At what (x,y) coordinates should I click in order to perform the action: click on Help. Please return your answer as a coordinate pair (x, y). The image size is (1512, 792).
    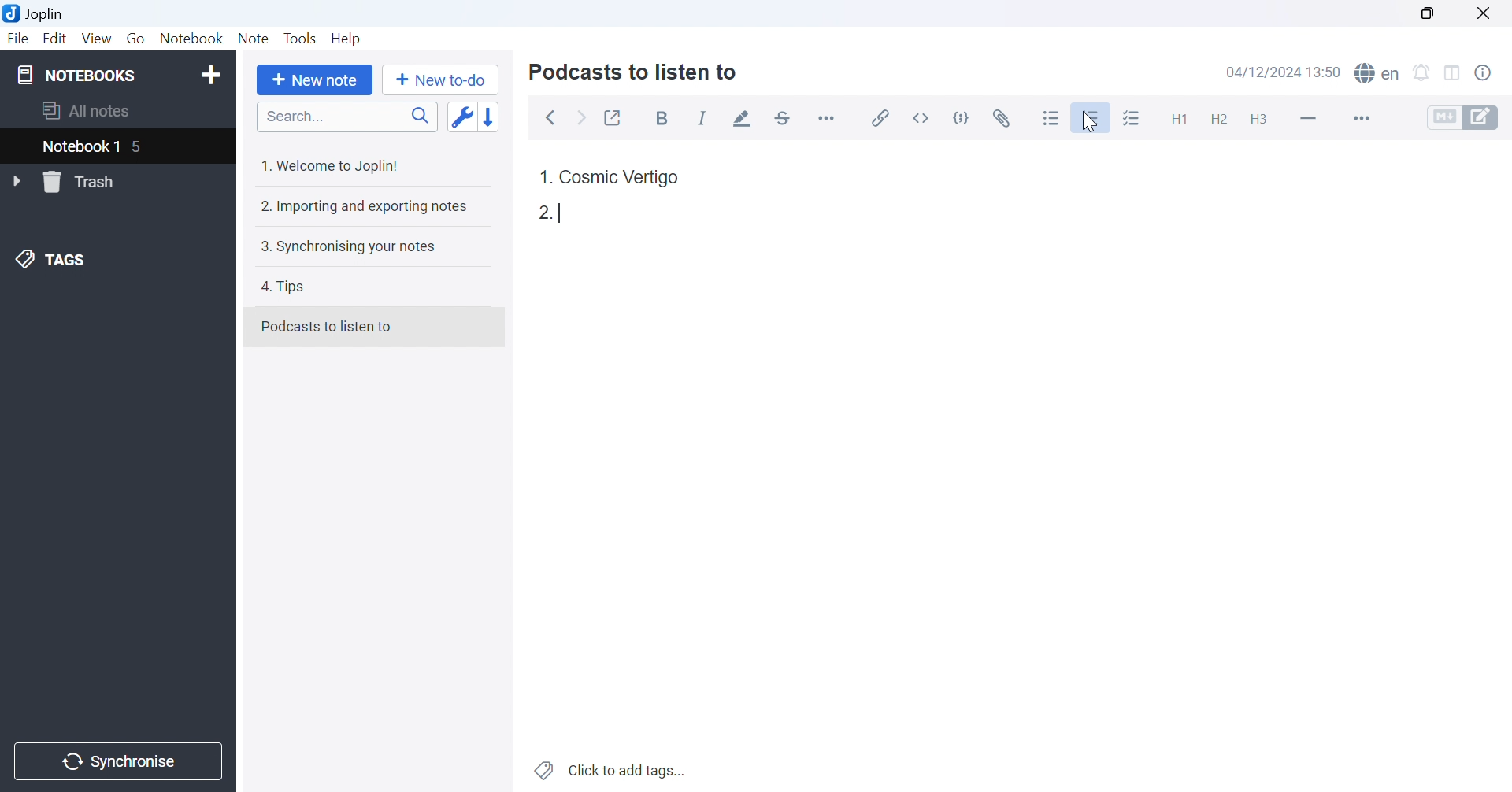
    Looking at the image, I should click on (350, 39).